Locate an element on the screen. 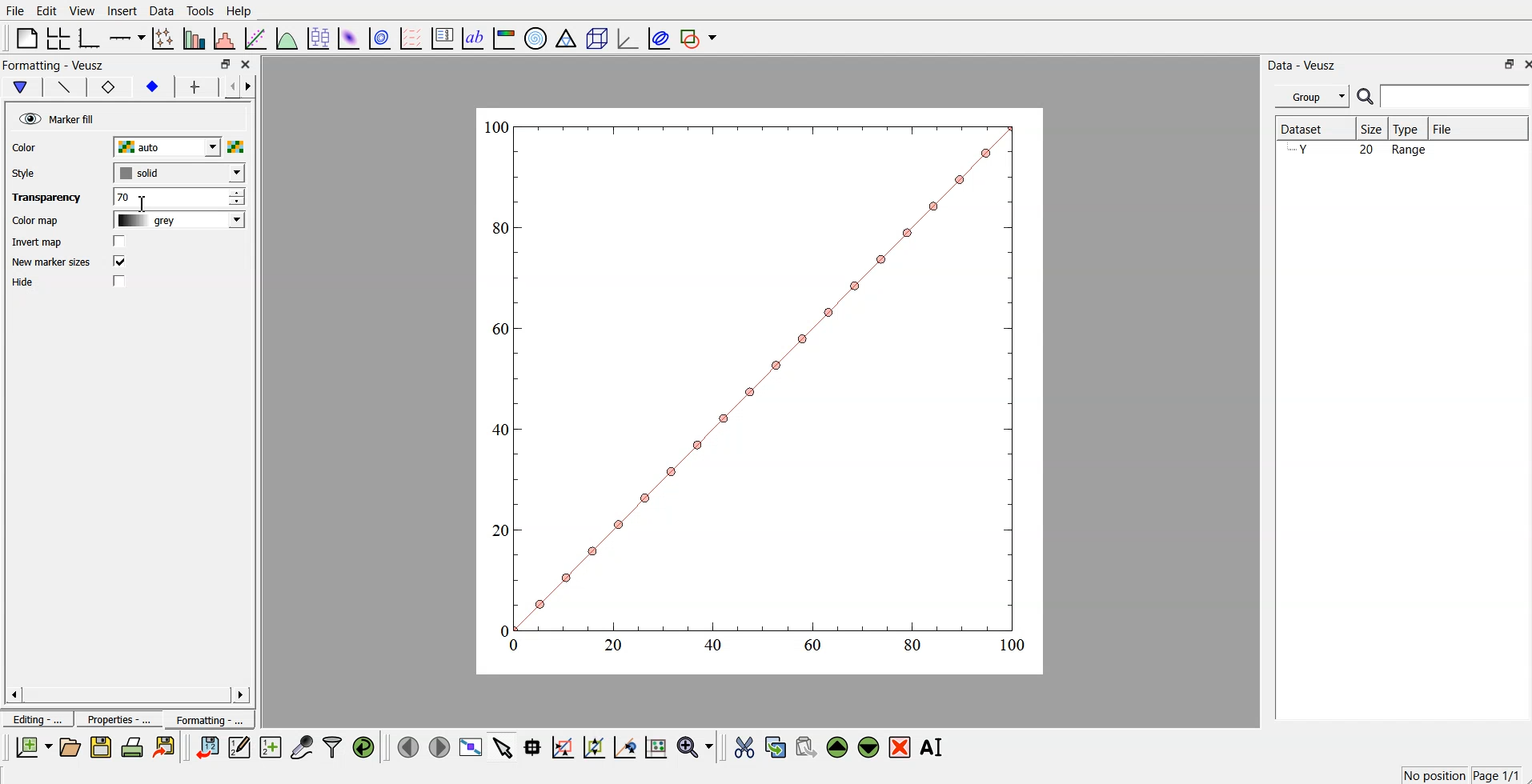  read data point on the graph is located at coordinates (534, 746).